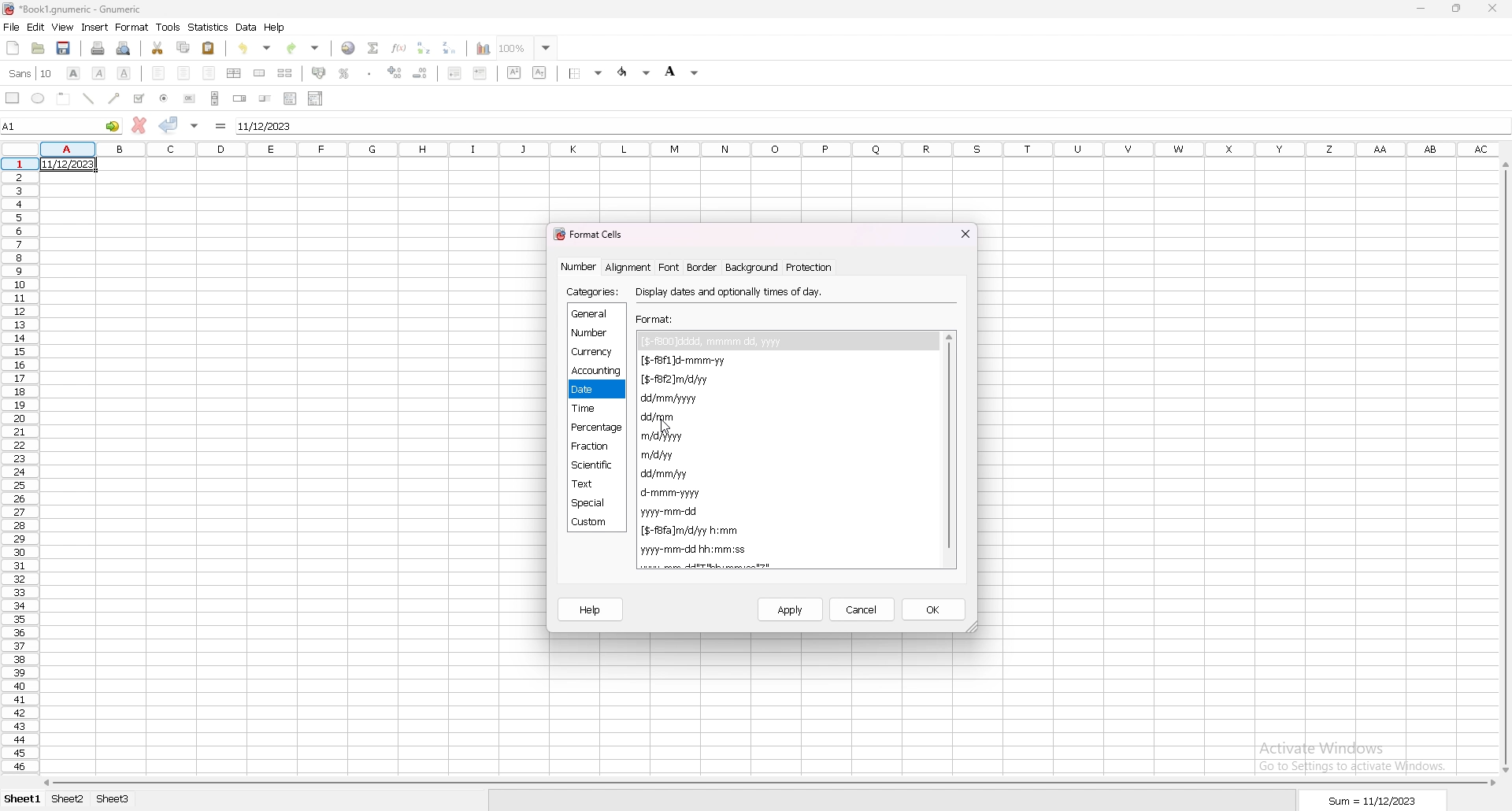  What do you see at coordinates (539, 72) in the screenshot?
I see `subscript` at bounding box center [539, 72].